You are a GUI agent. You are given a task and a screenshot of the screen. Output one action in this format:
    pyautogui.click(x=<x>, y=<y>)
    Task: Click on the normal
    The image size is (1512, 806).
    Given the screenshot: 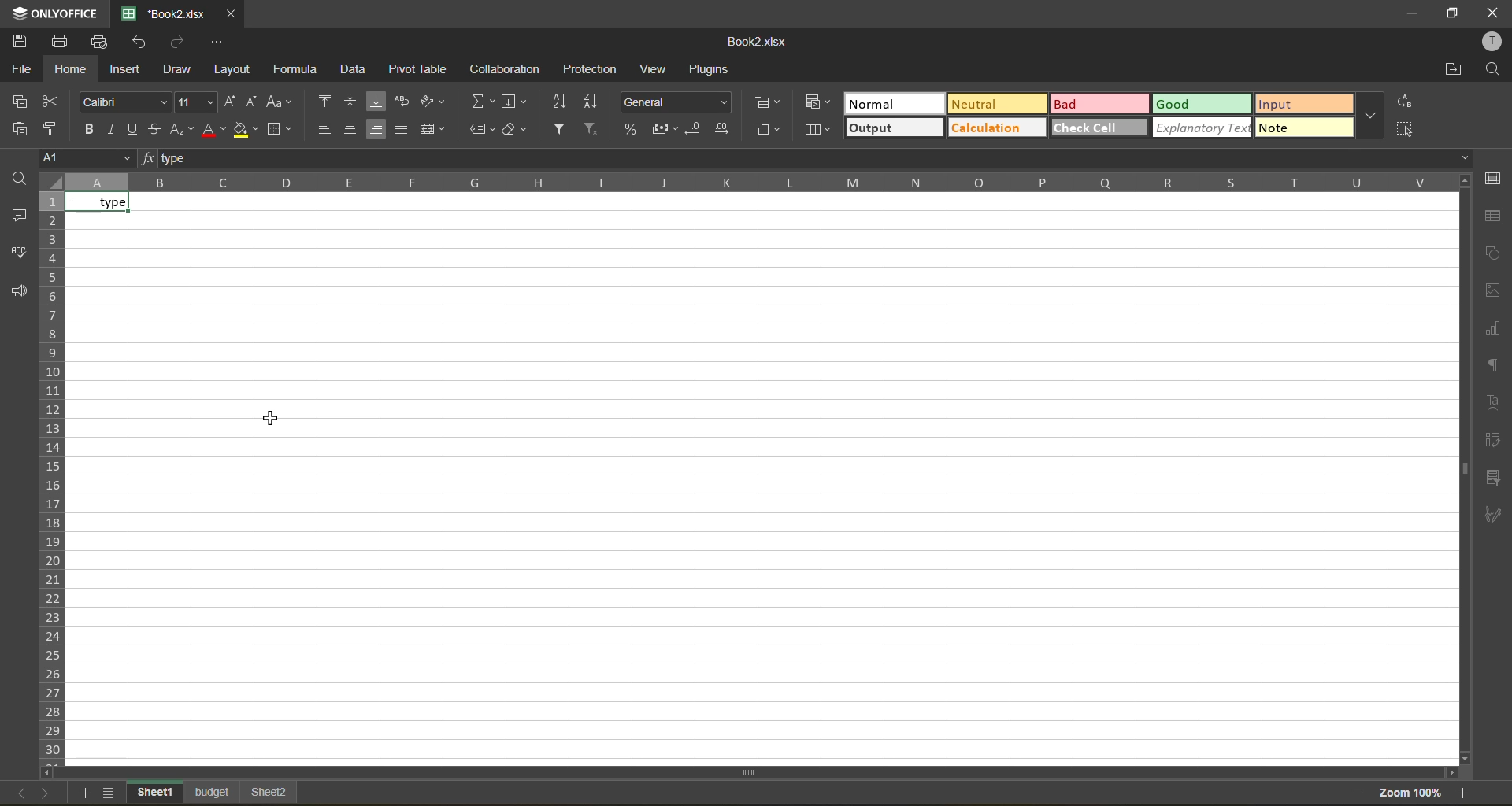 What is the action you would take?
    pyautogui.click(x=893, y=102)
    